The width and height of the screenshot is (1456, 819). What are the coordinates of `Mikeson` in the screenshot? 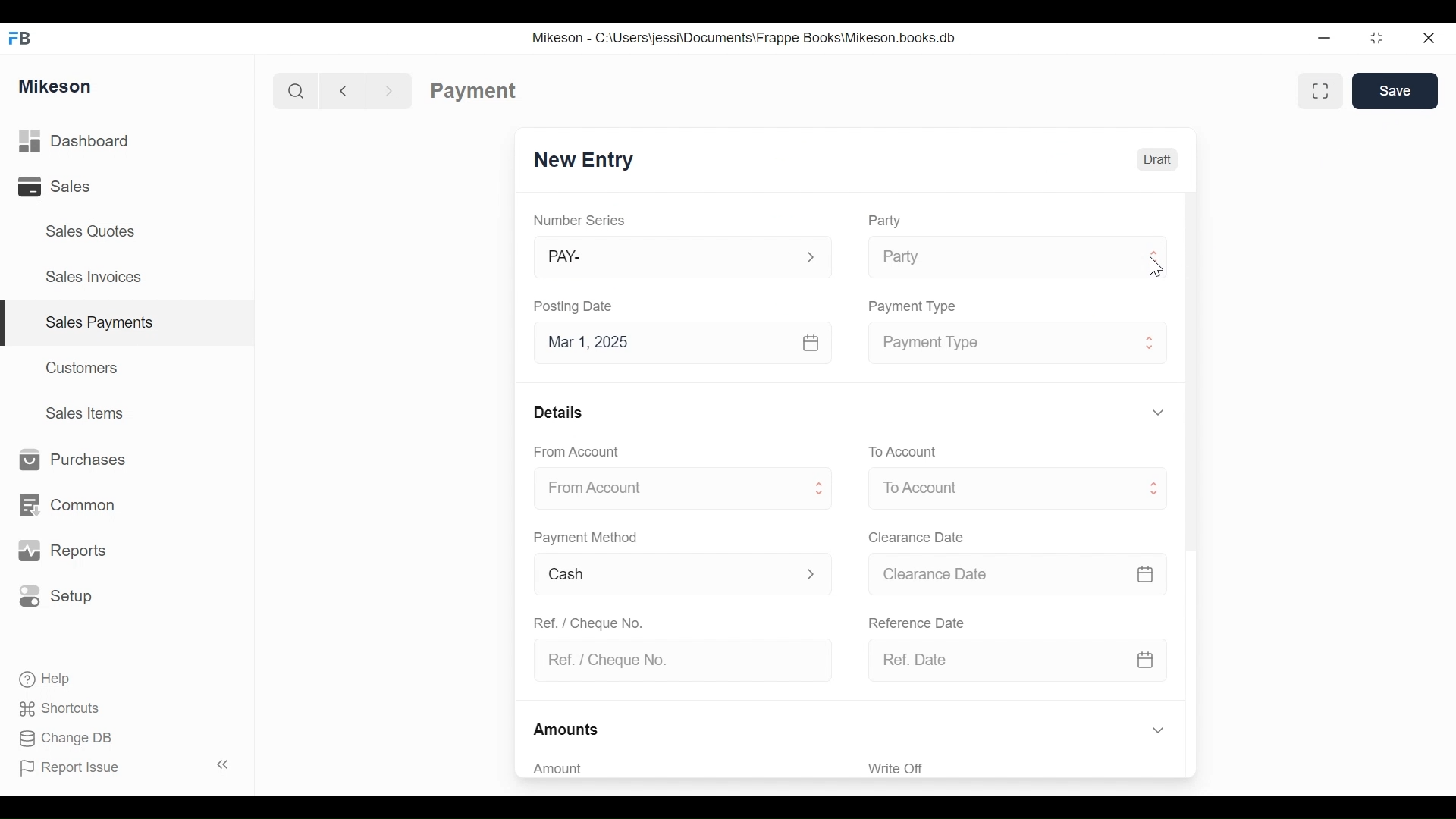 It's located at (56, 84).